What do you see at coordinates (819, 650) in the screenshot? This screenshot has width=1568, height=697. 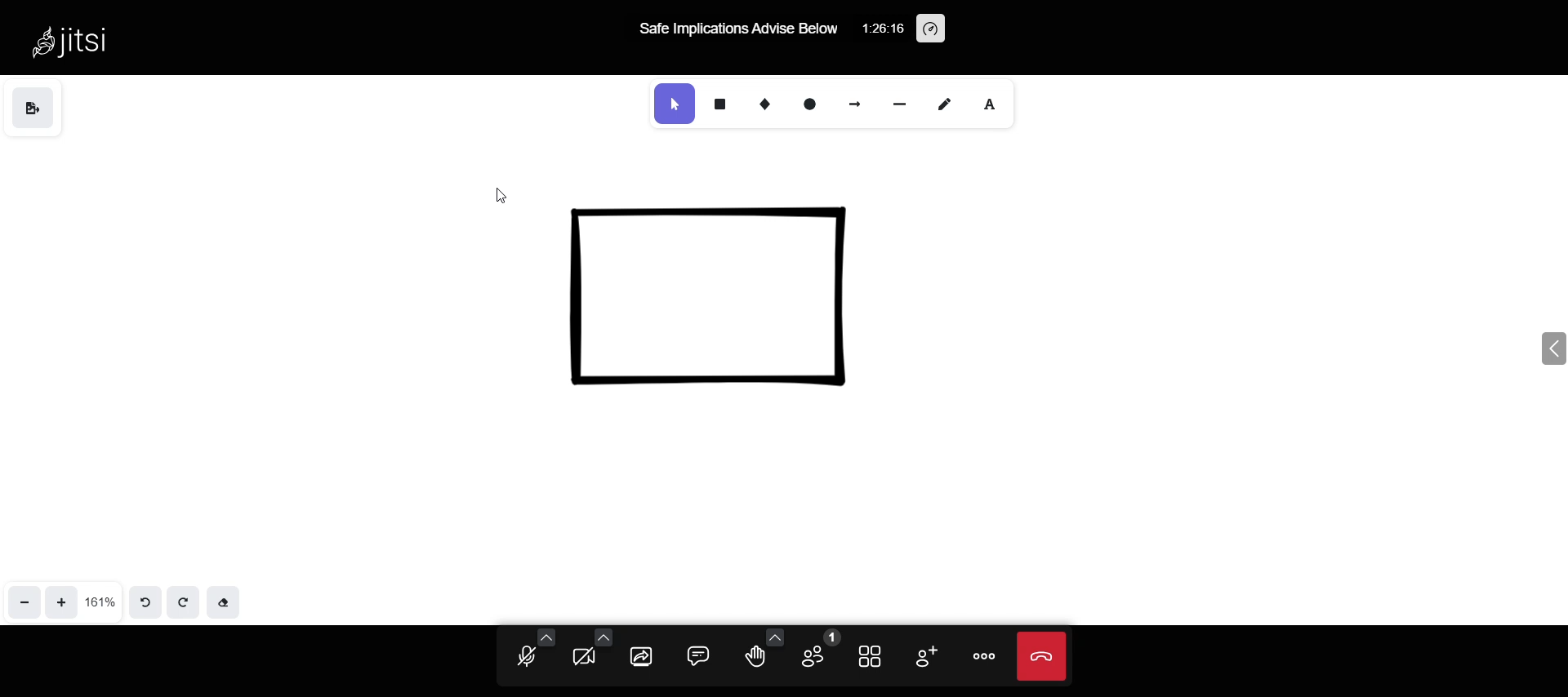 I see `participants` at bounding box center [819, 650].